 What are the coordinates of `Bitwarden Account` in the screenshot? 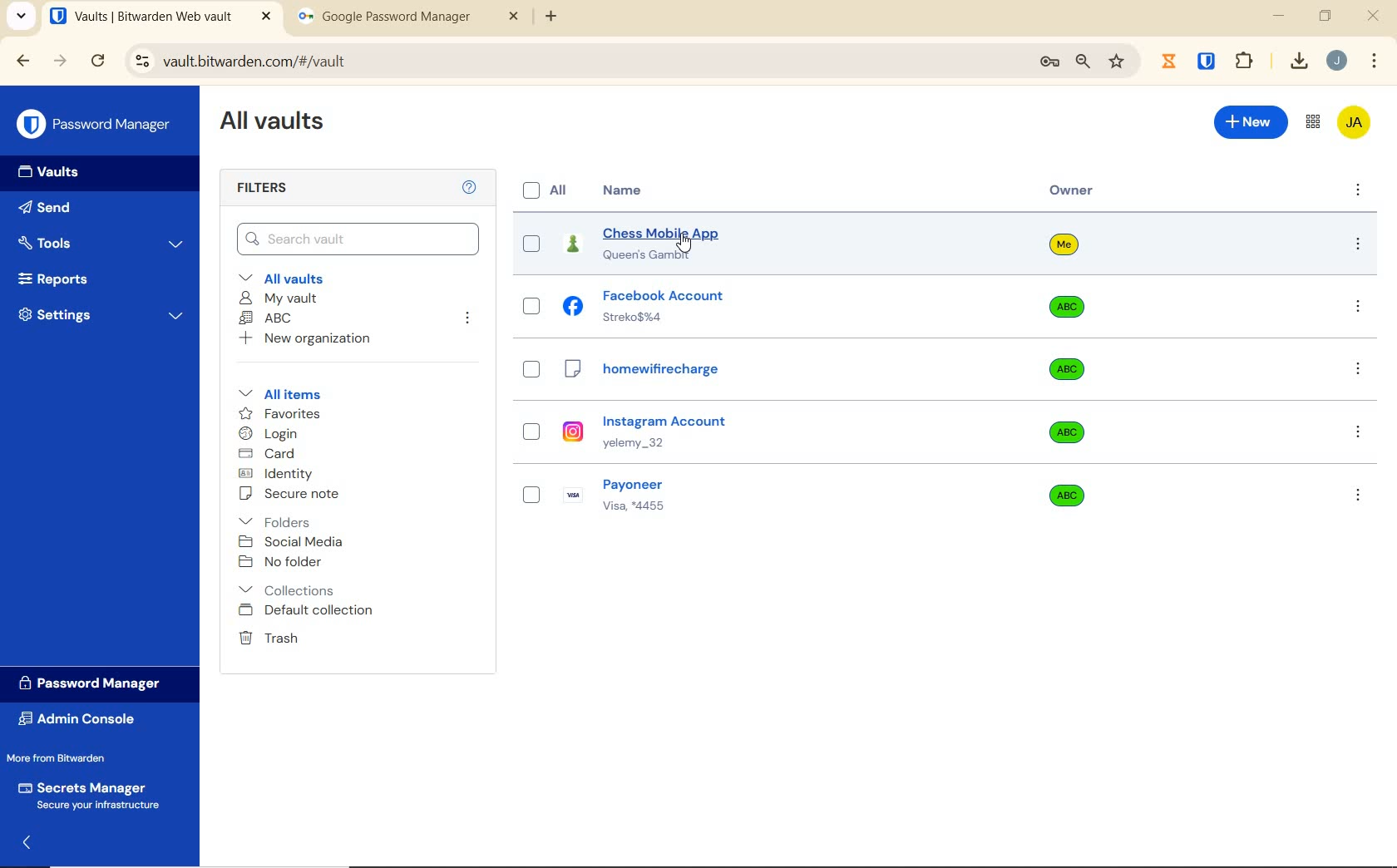 It's located at (1357, 126).